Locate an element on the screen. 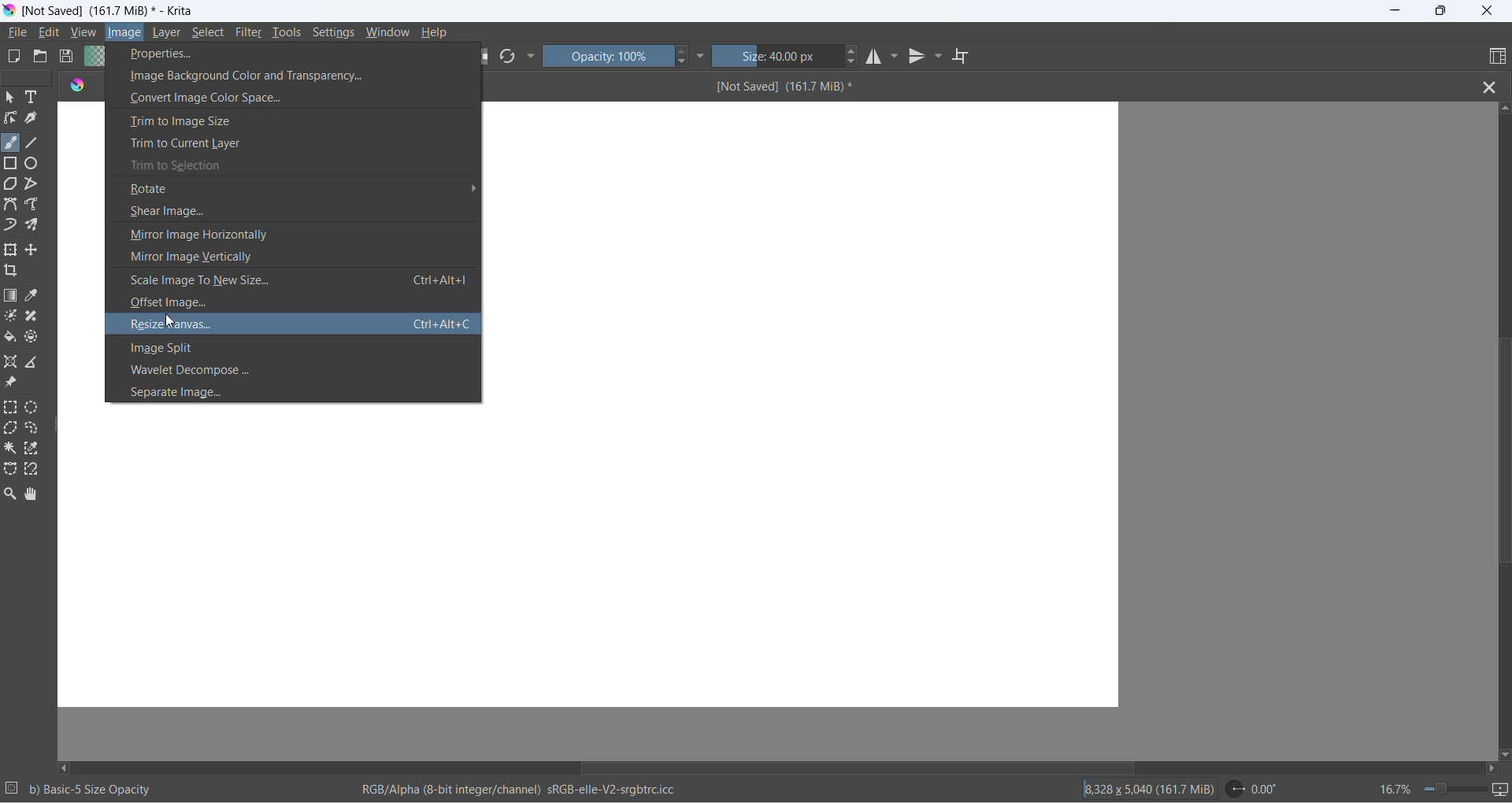 The height and width of the screenshot is (803, 1512). rgb information is located at coordinates (527, 790).